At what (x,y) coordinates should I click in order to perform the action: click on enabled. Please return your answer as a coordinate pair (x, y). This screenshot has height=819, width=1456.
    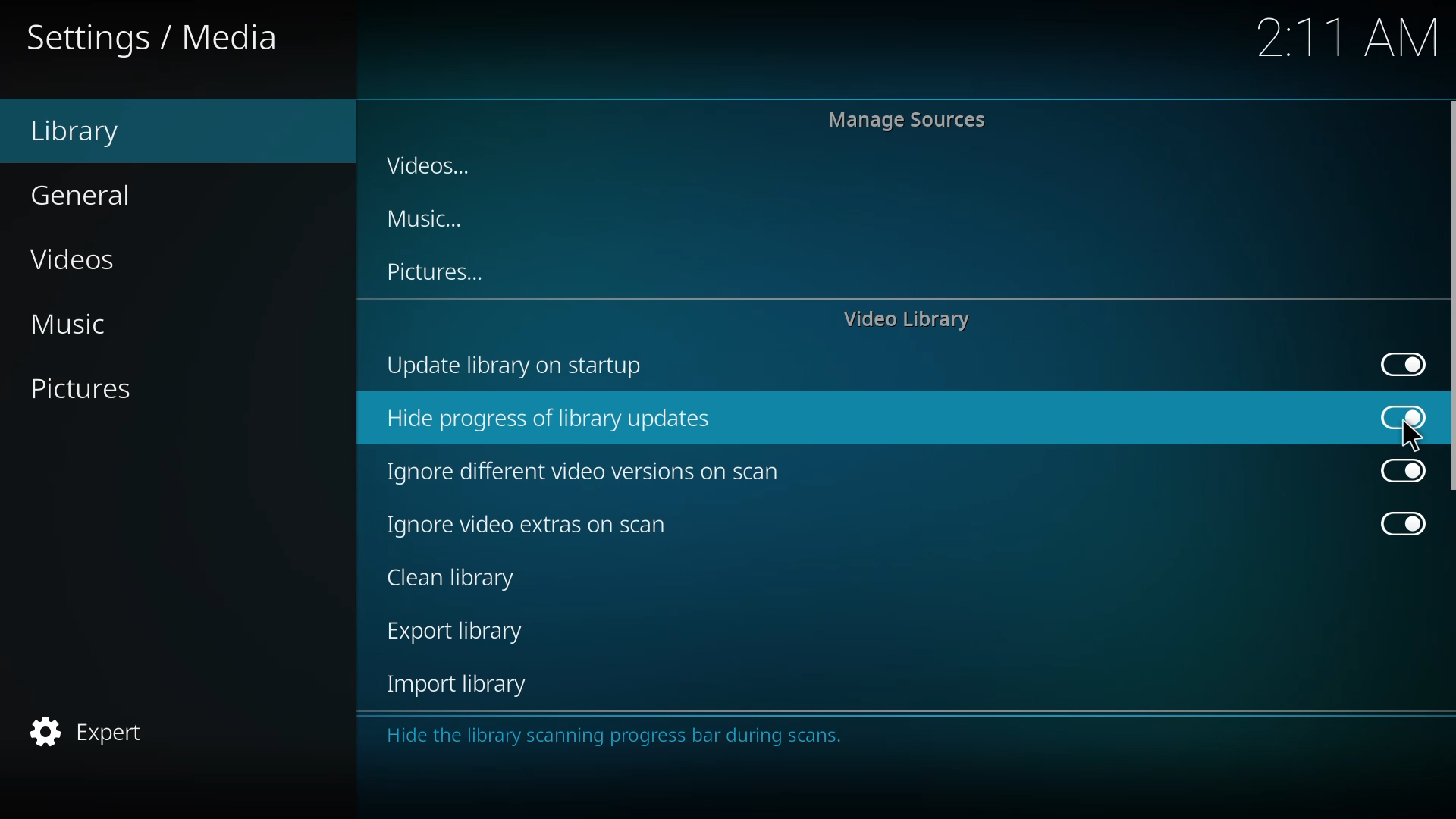
    Looking at the image, I should click on (1406, 418).